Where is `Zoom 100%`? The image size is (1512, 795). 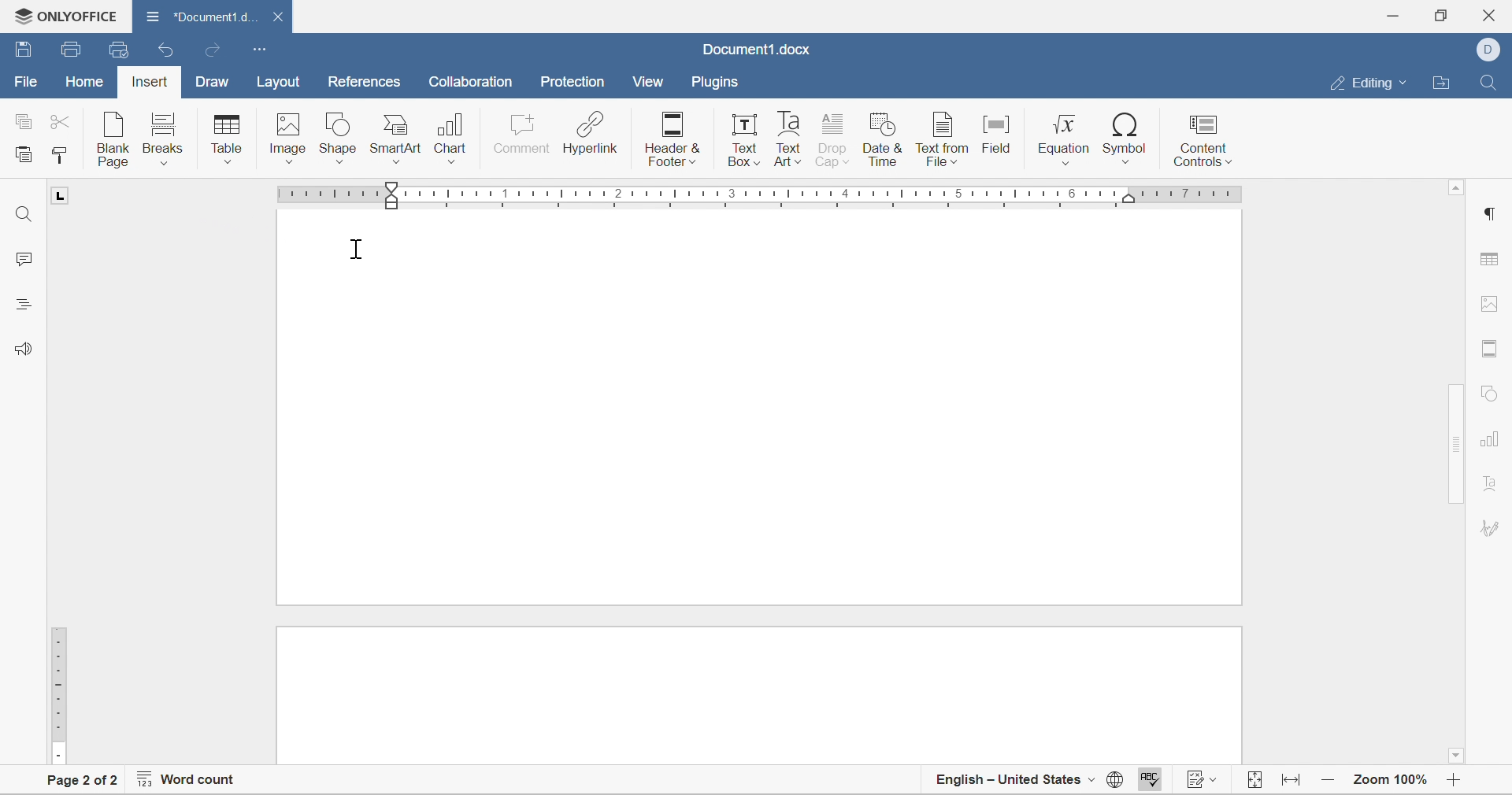
Zoom 100% is located at coordinates (1392, 782).